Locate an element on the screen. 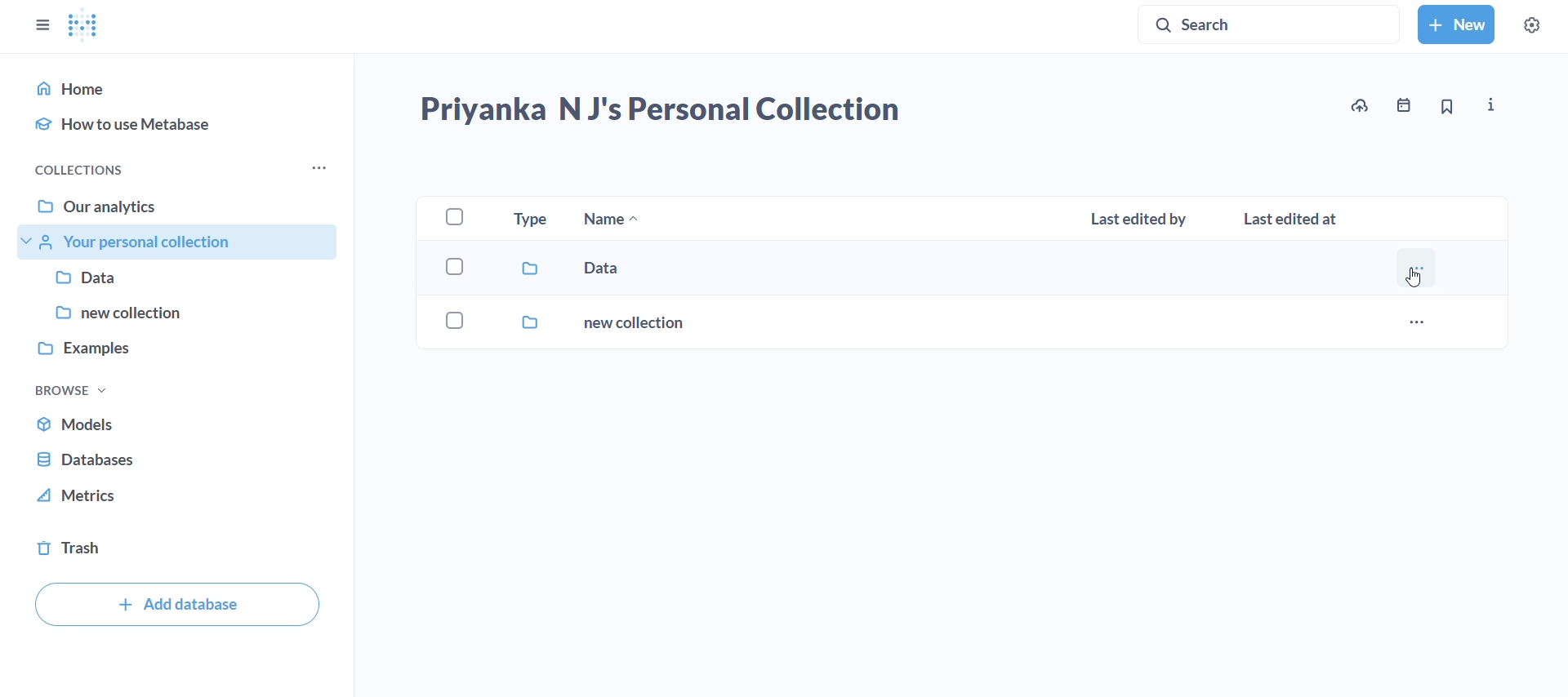  checkbox is located at coordinates (453, 217).